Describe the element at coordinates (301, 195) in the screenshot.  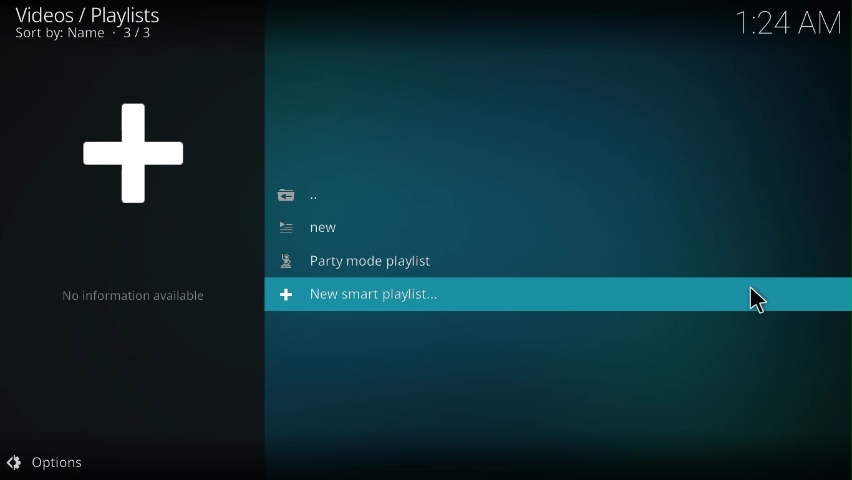
I see `back` at that location.